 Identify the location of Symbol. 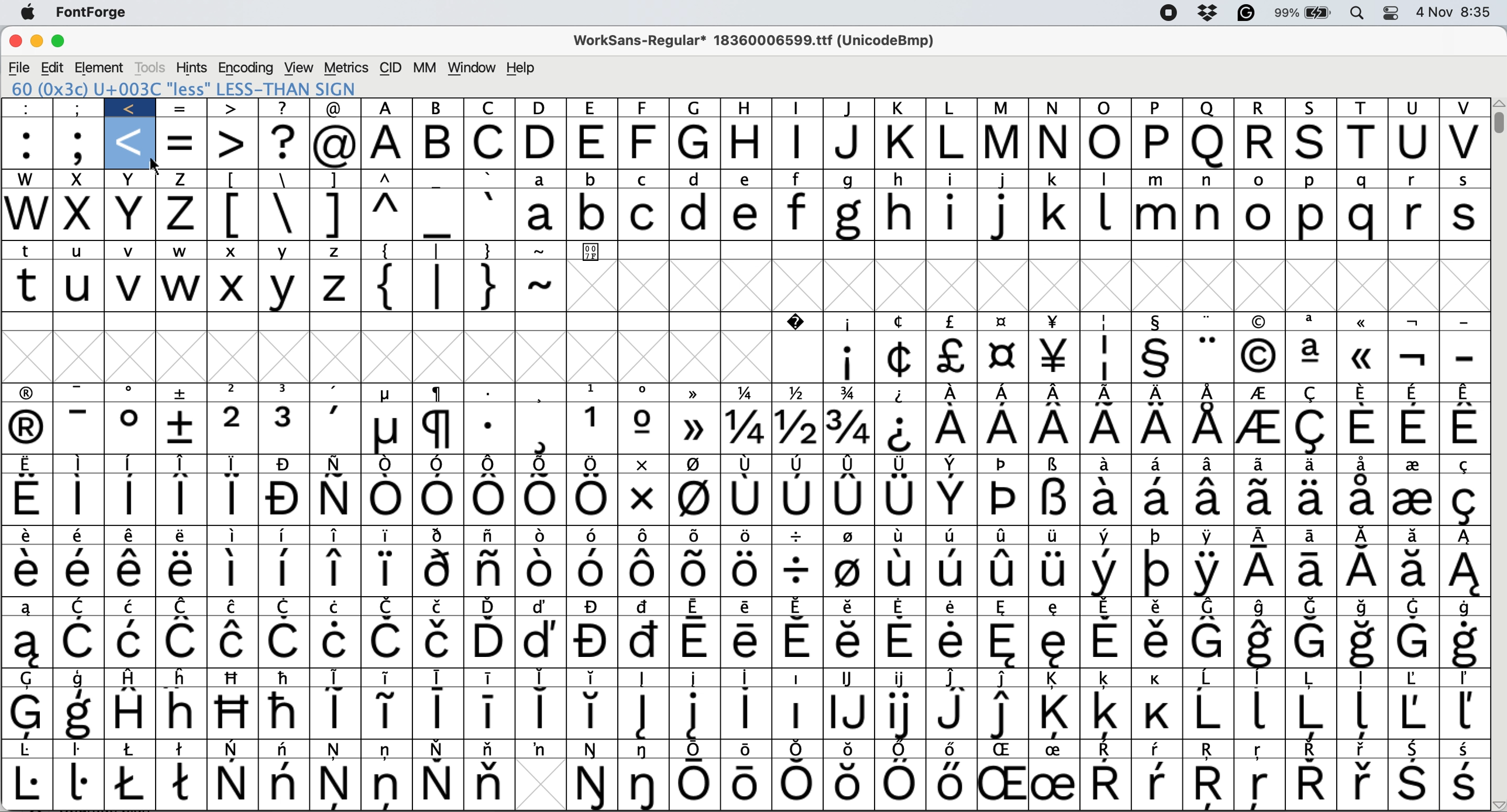
(29, 644).